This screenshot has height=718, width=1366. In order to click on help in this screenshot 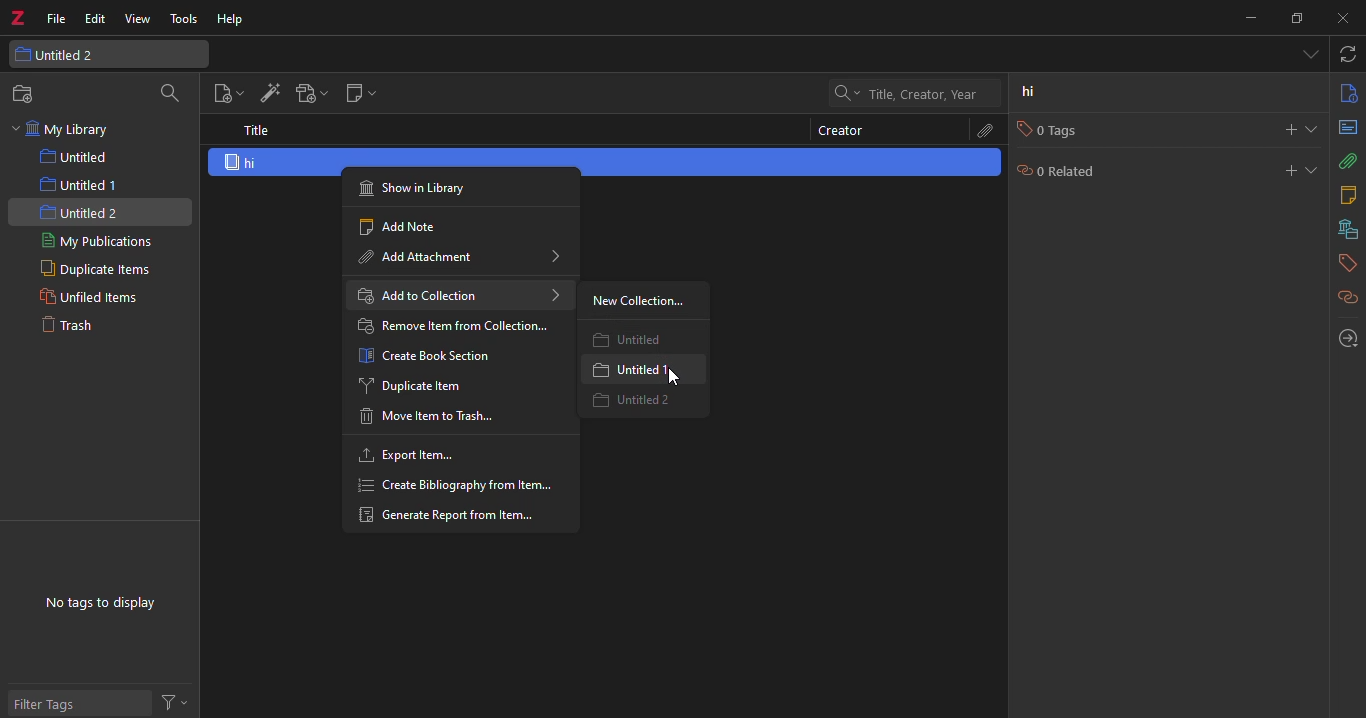, I will do `click(232, 20)`.